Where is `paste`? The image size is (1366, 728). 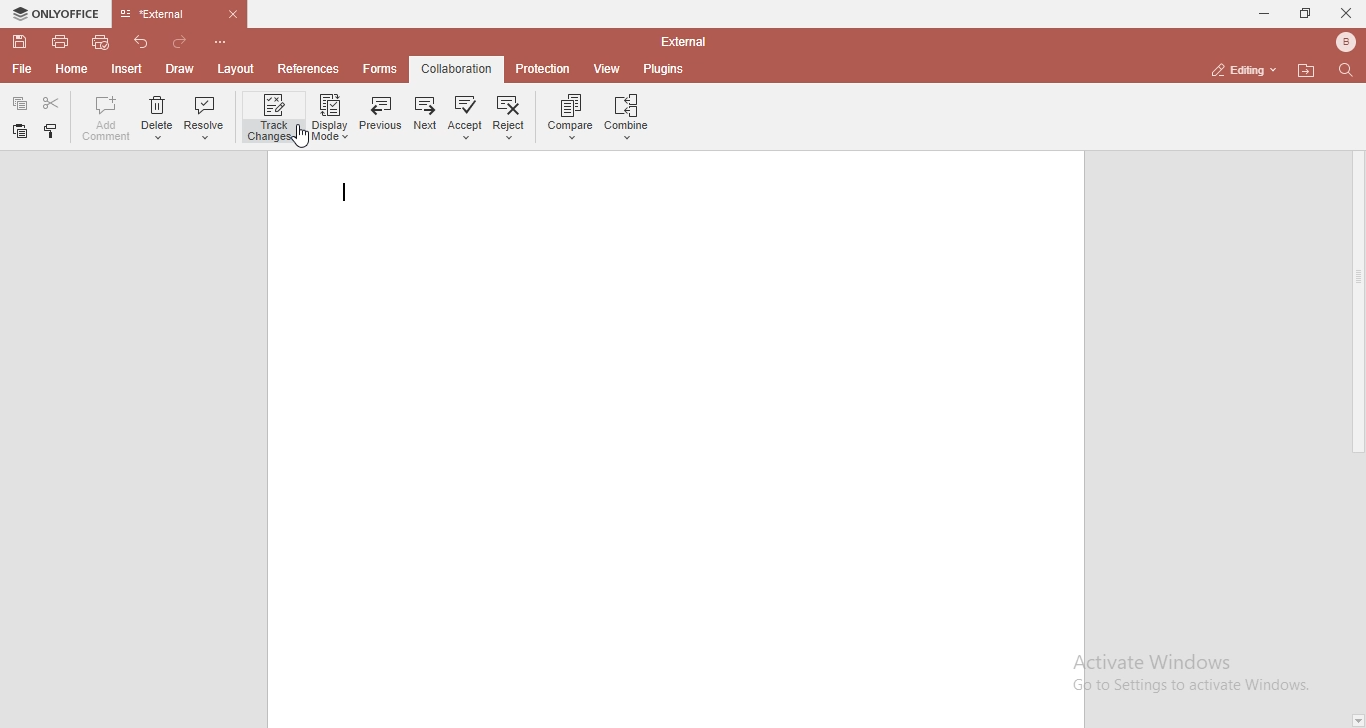
paste is located at coordinates (49, 130).